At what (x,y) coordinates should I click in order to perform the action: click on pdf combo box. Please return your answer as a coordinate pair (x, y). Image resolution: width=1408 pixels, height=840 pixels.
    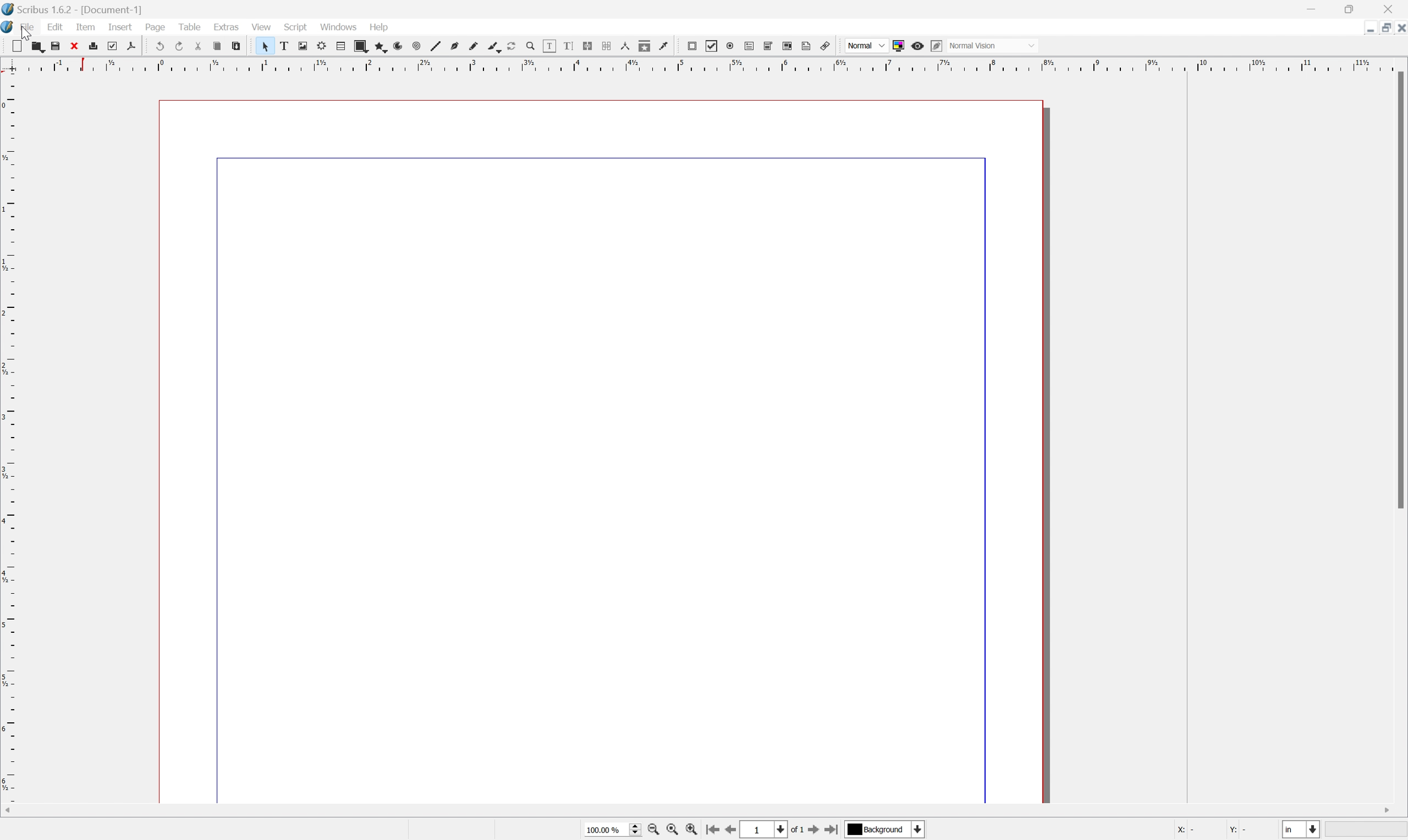
    Looking at the image, I should click on (769, 45).